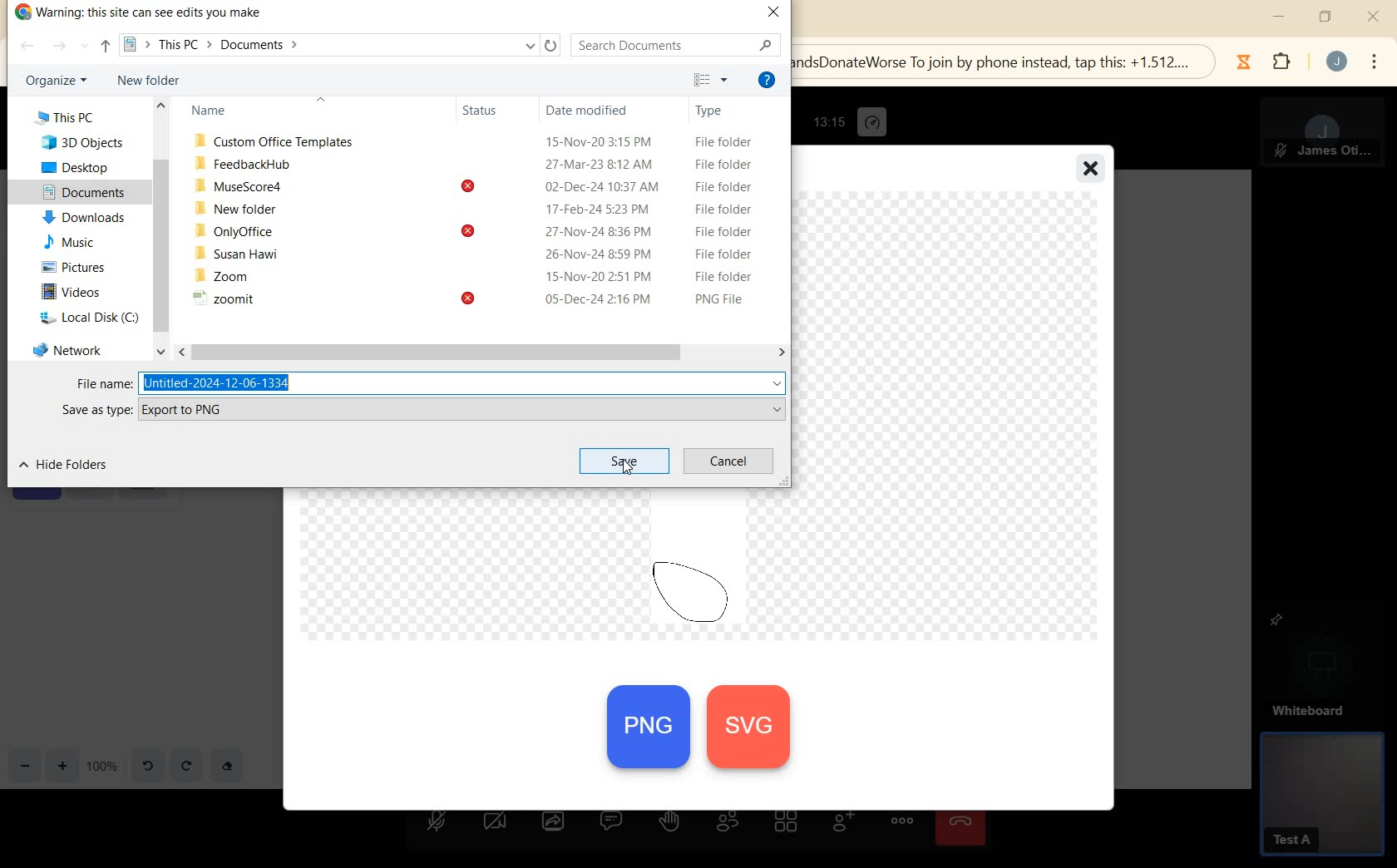 The height and width of the screenshot is (868, 1397). What do you see at coordinates (86, 194) in the screenshot?
I see `documents` at bounding box center [86, 194].